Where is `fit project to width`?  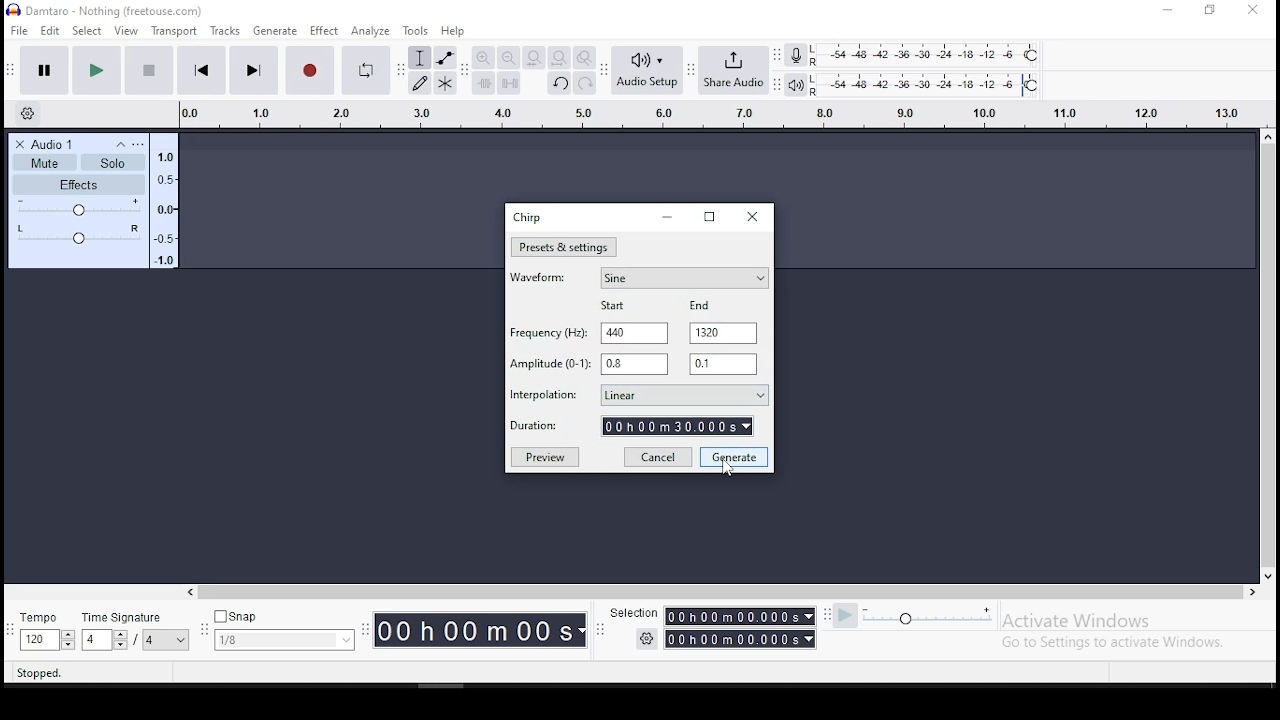 fit project to width is located at coordinates (534, 57).